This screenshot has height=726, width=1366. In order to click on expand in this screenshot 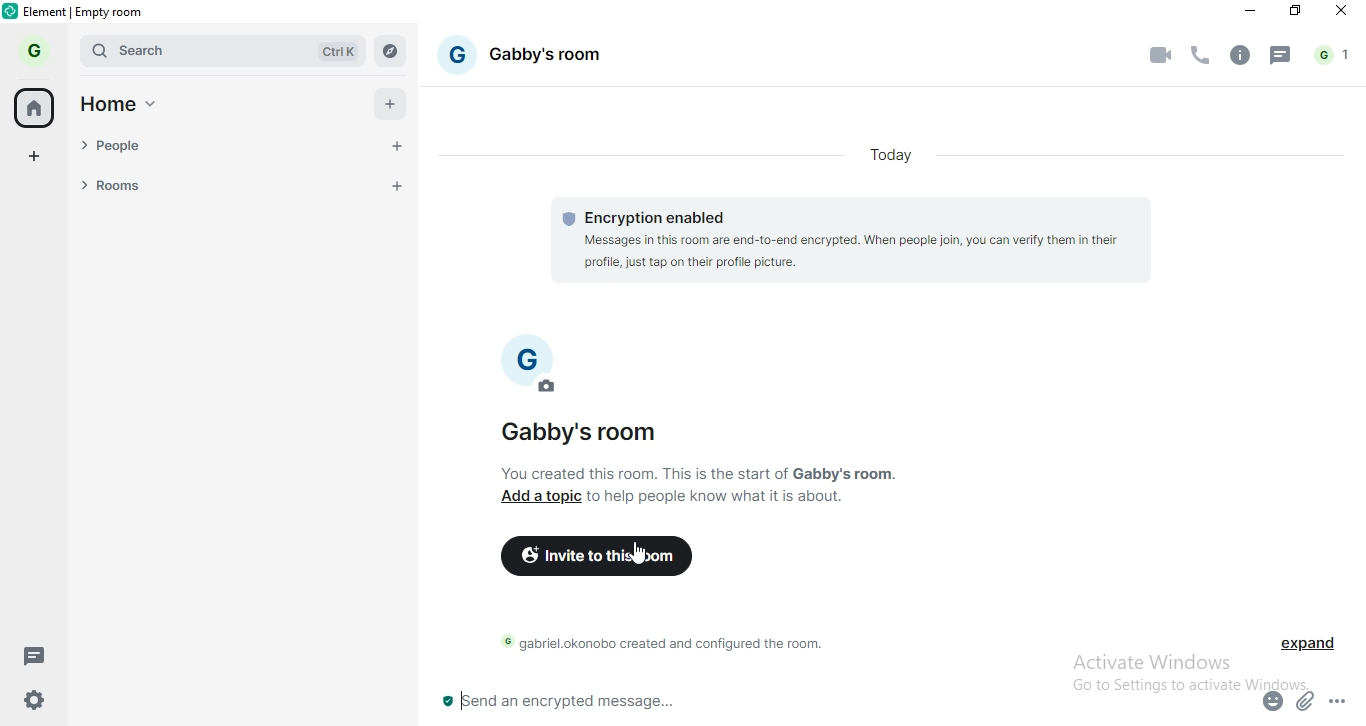, I will do `click(1310, 647)`.